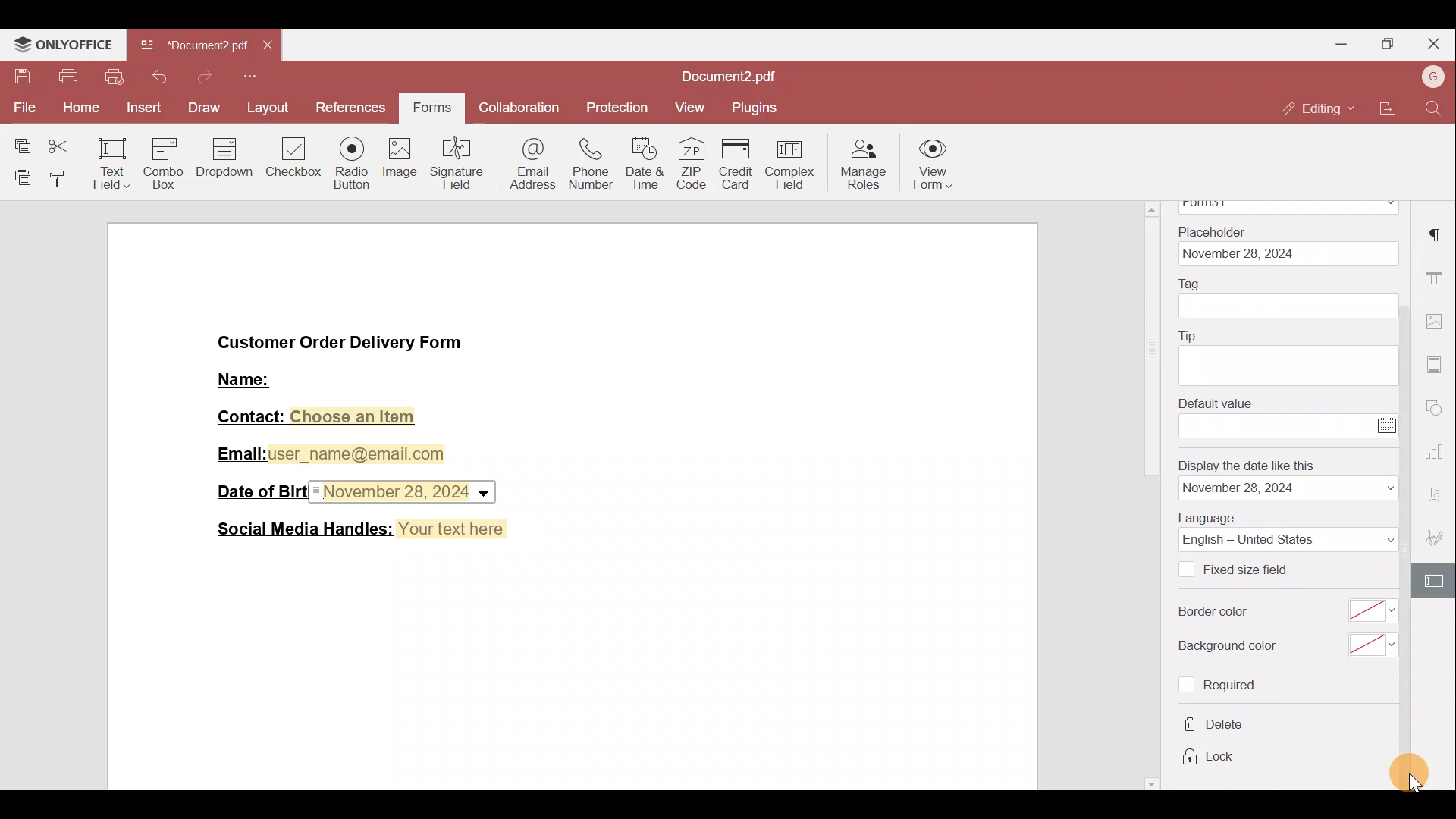 This screenshot has width=1456, height=819. What do you see at coordinates (18, 74) in the screenshot?
I see `Save` at bounding box center [18, 74].